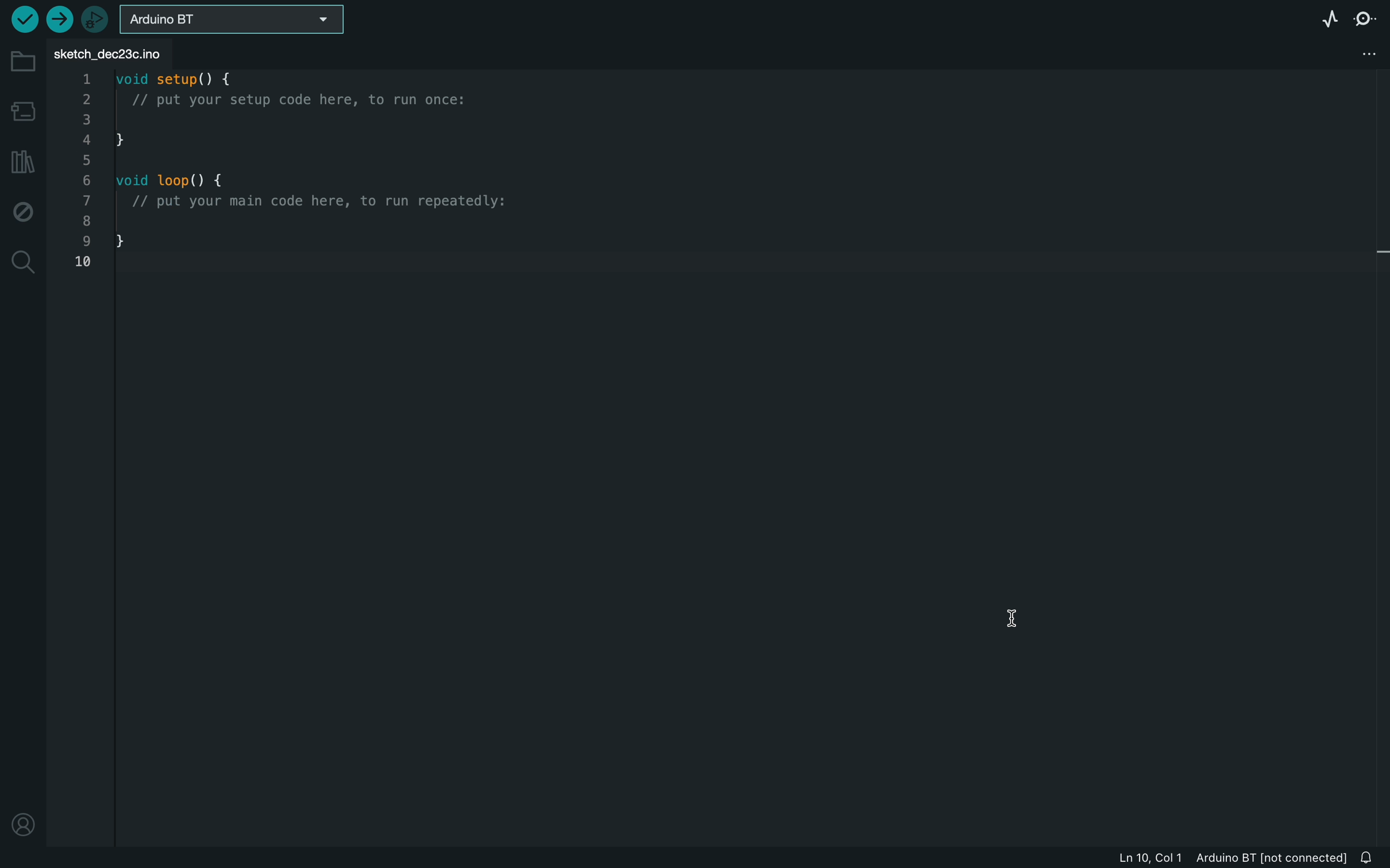 The height and width of the screenshot is (868, 1390). I want to click on upload, so click(60, 20).